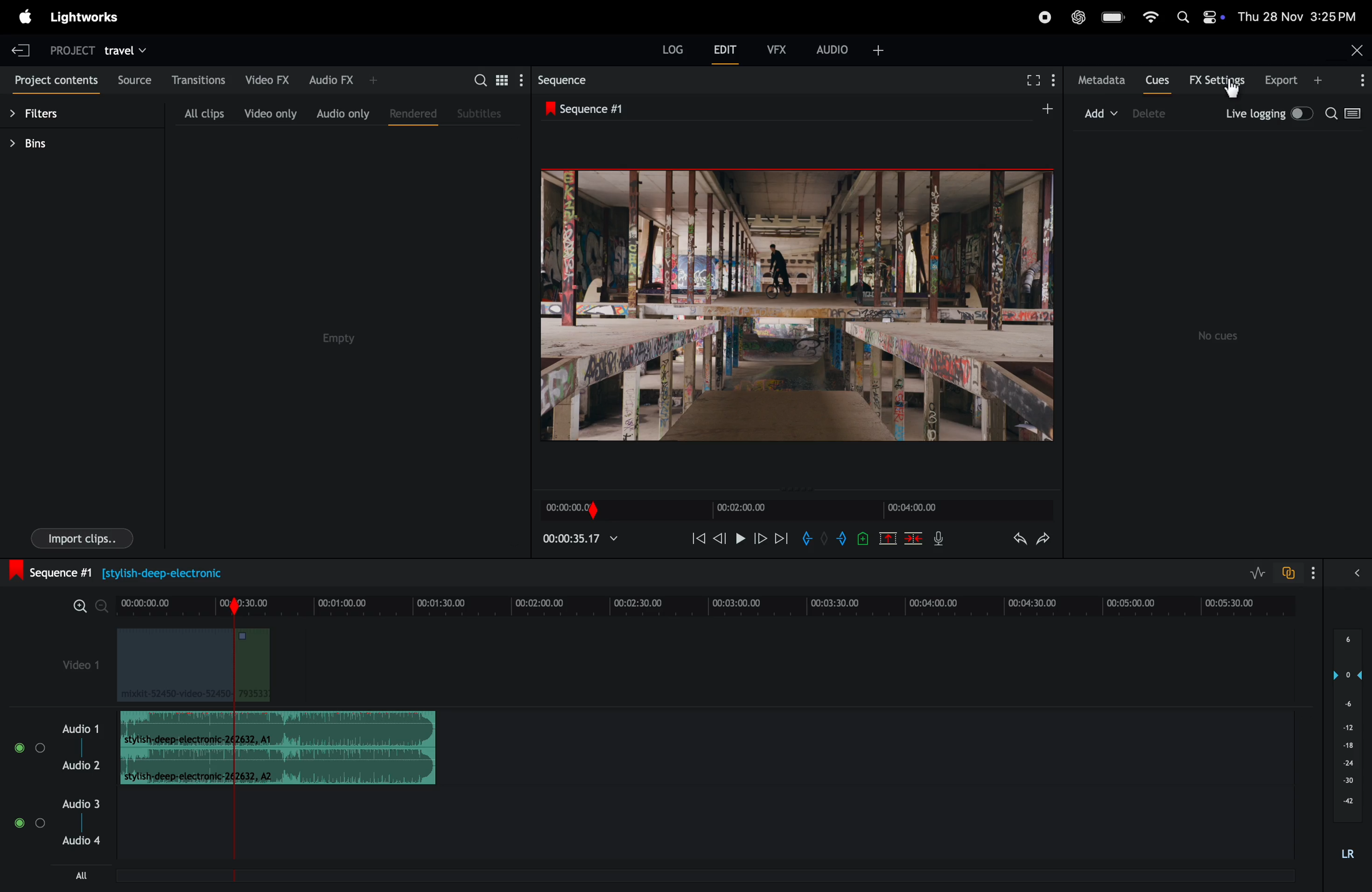 The width and height of the screenshot is (1372, 892). What do you see at coordinates (55, 78) in the screenshot?
I see `projects contents` at bounding box center [55, 78].